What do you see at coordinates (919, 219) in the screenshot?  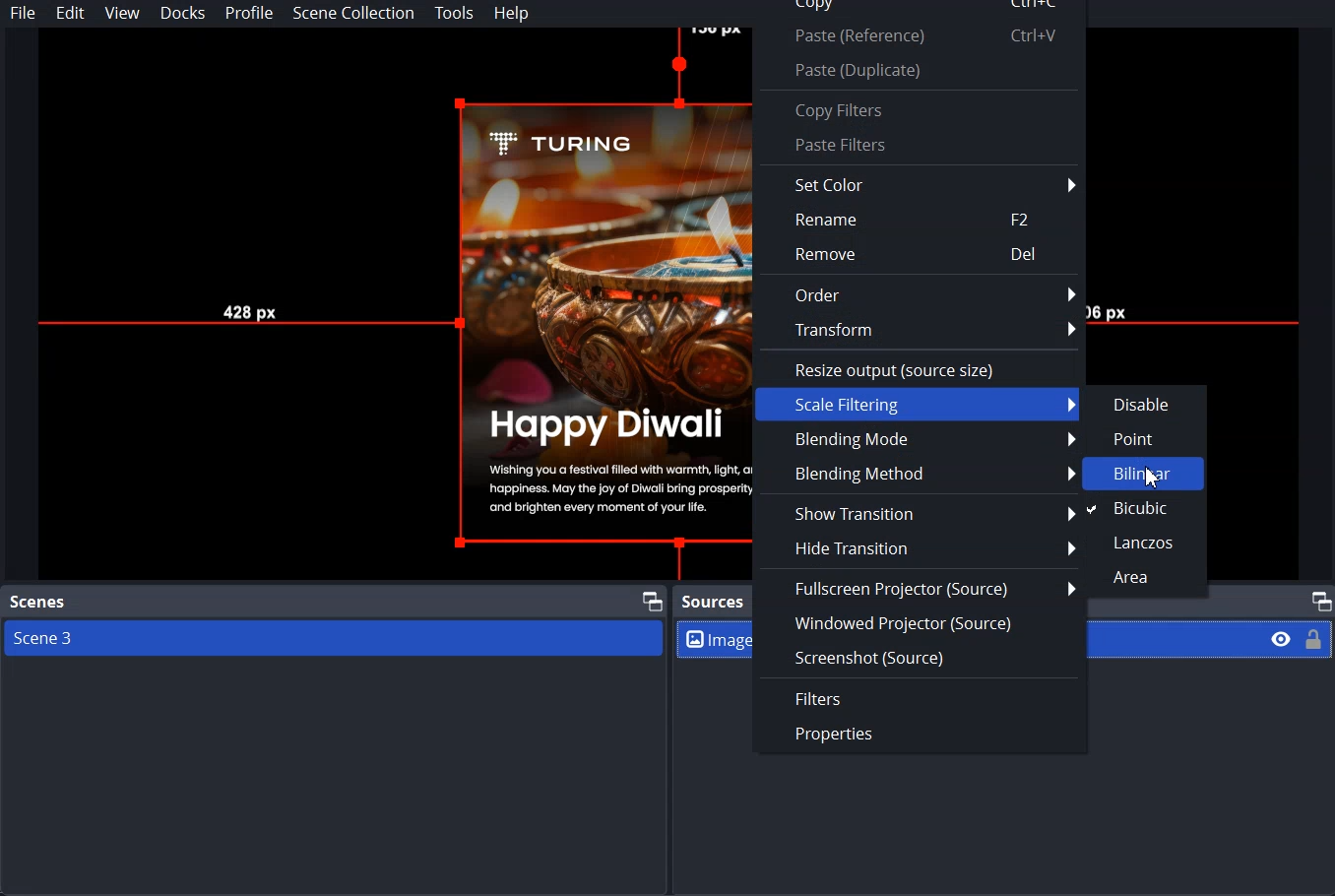 I see `Rename` at bounding box center [919, 219].